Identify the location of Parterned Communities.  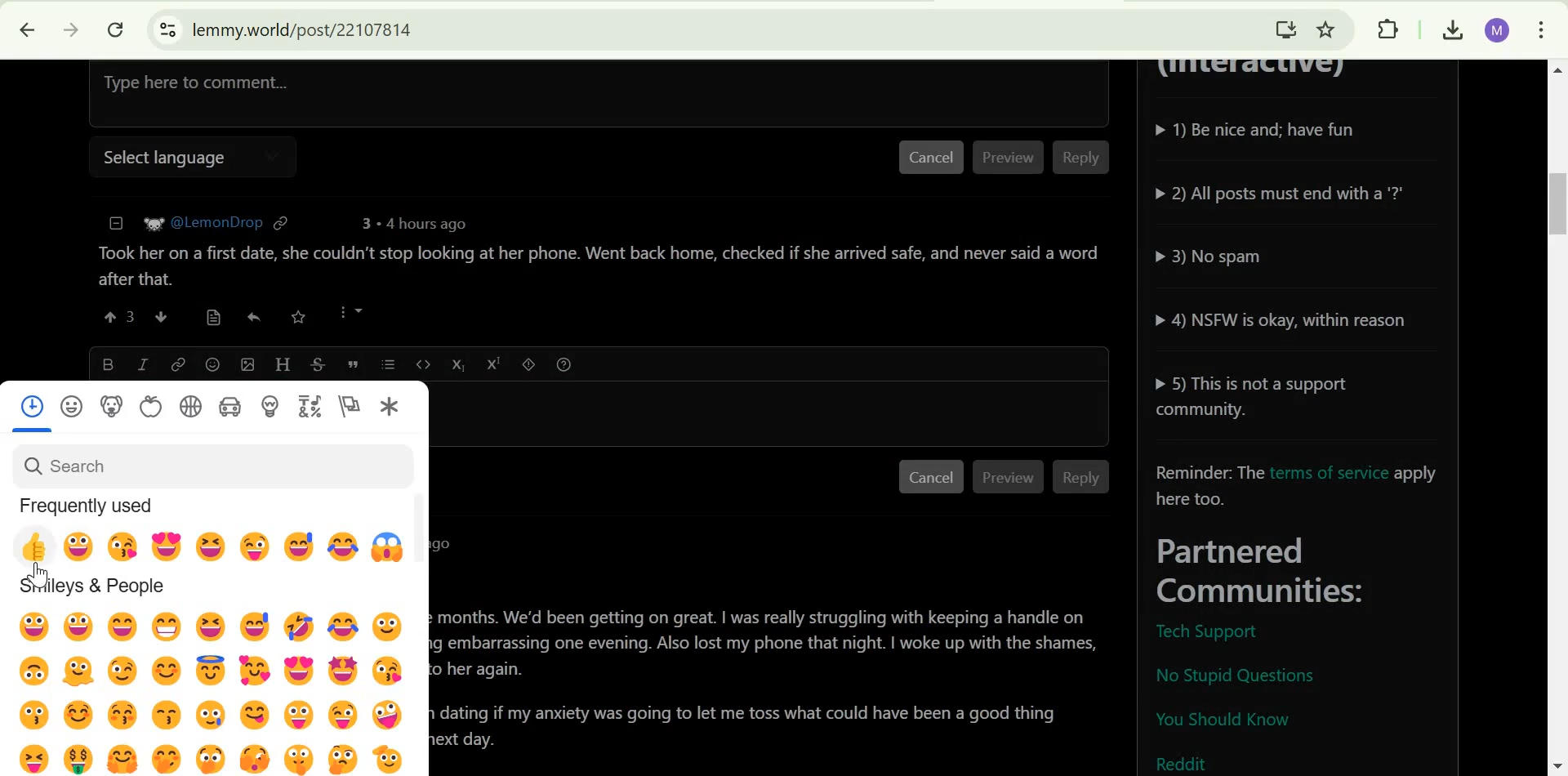
(1304, 572).